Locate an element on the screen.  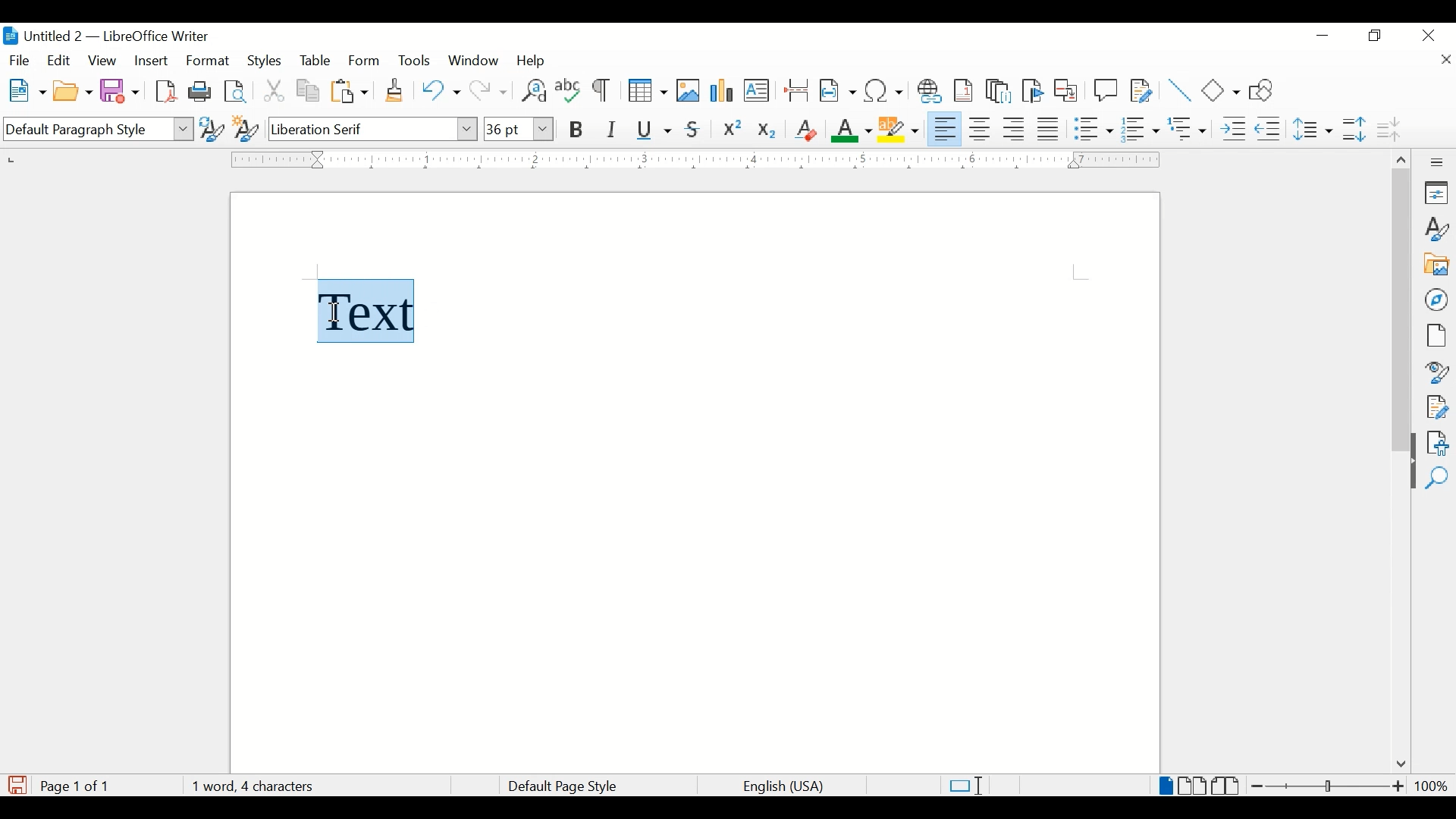
italic is located at coordinates (612, 130).